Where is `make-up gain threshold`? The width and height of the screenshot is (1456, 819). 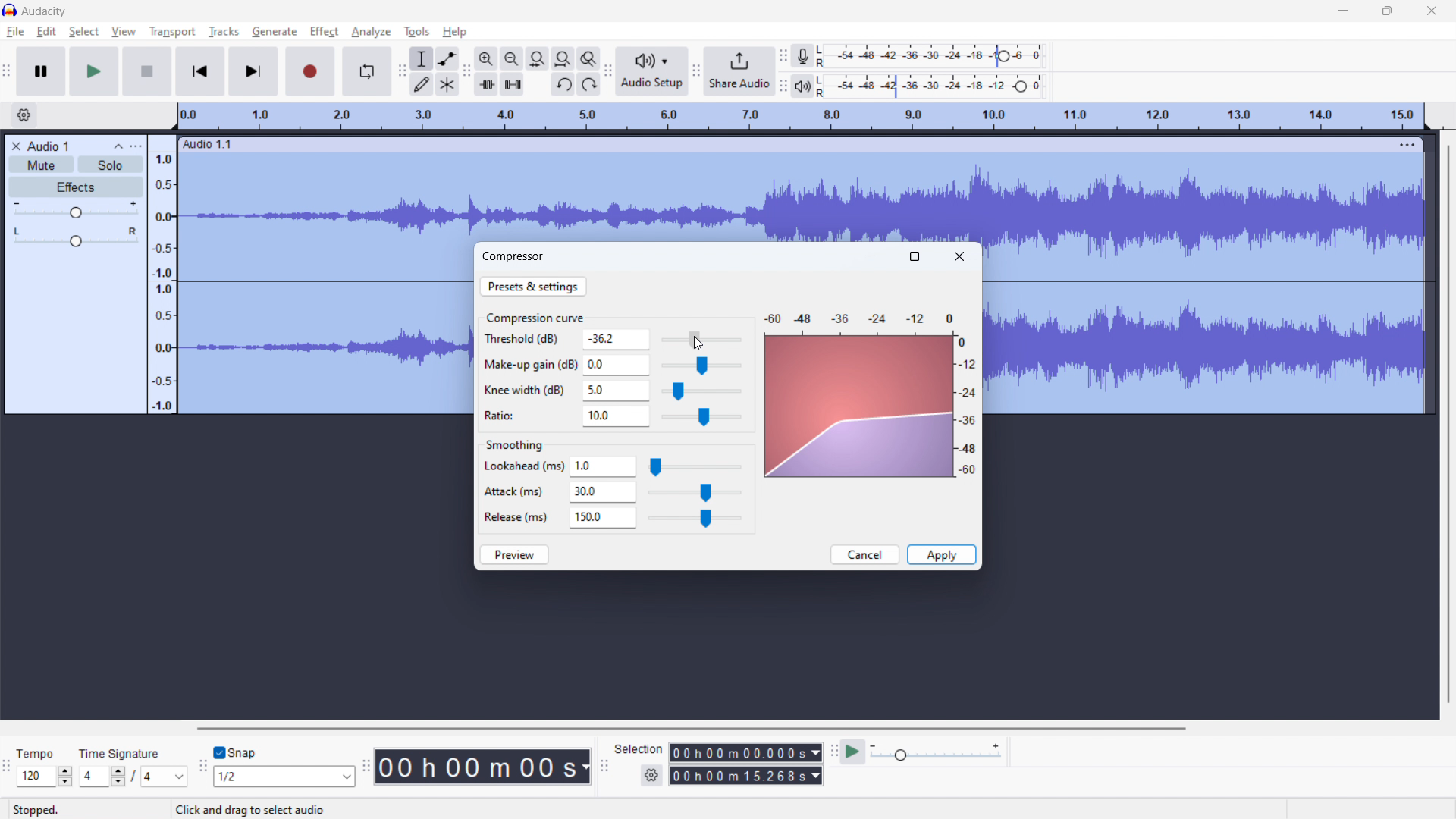 make-up gain threshold is located at coordinates (701, 366).